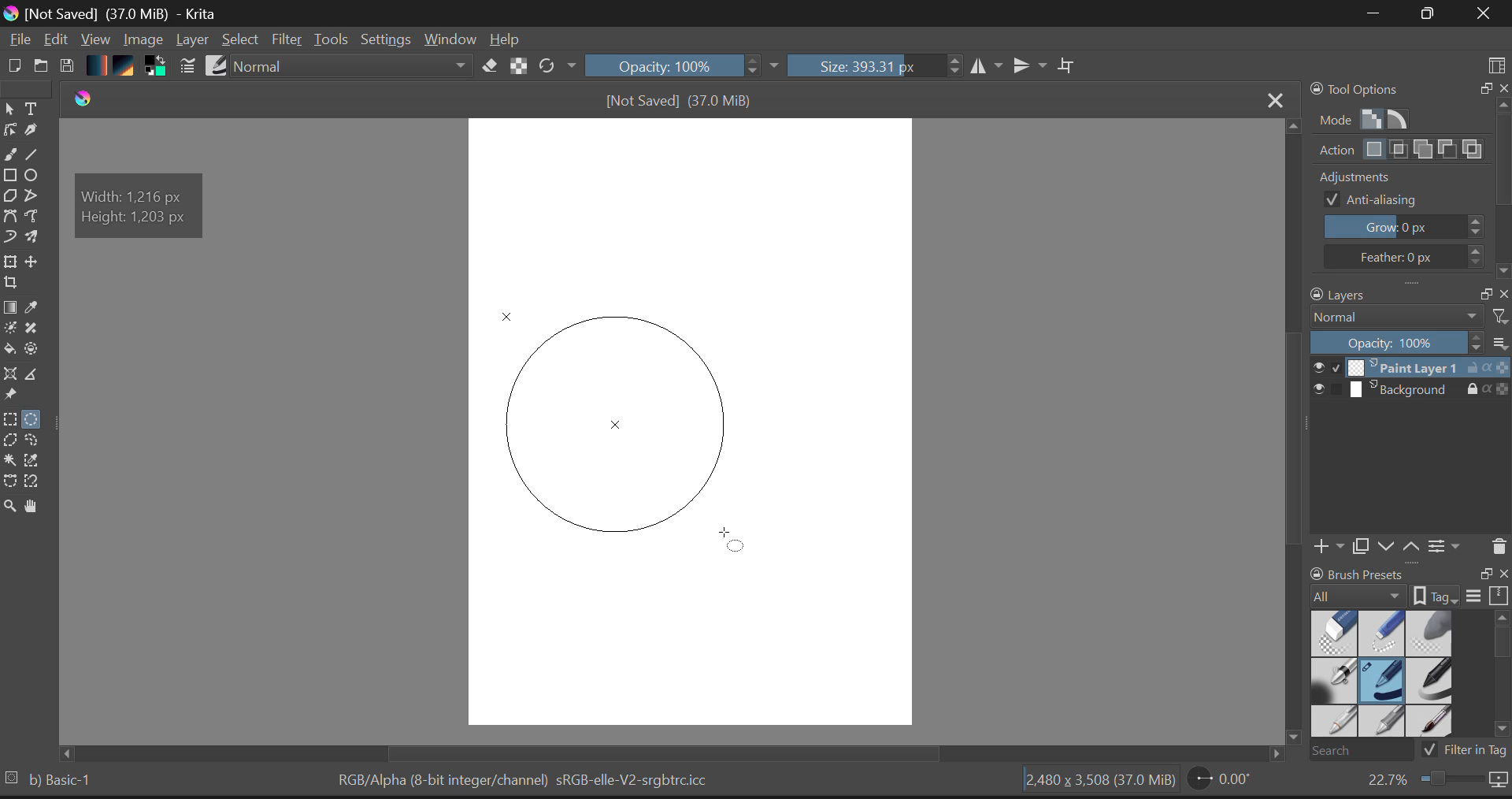 The image size is (1512, 799). What do you see at coordinates (37, 157) in the screenshot?
I see `Line` at bounding box center [37, 157].